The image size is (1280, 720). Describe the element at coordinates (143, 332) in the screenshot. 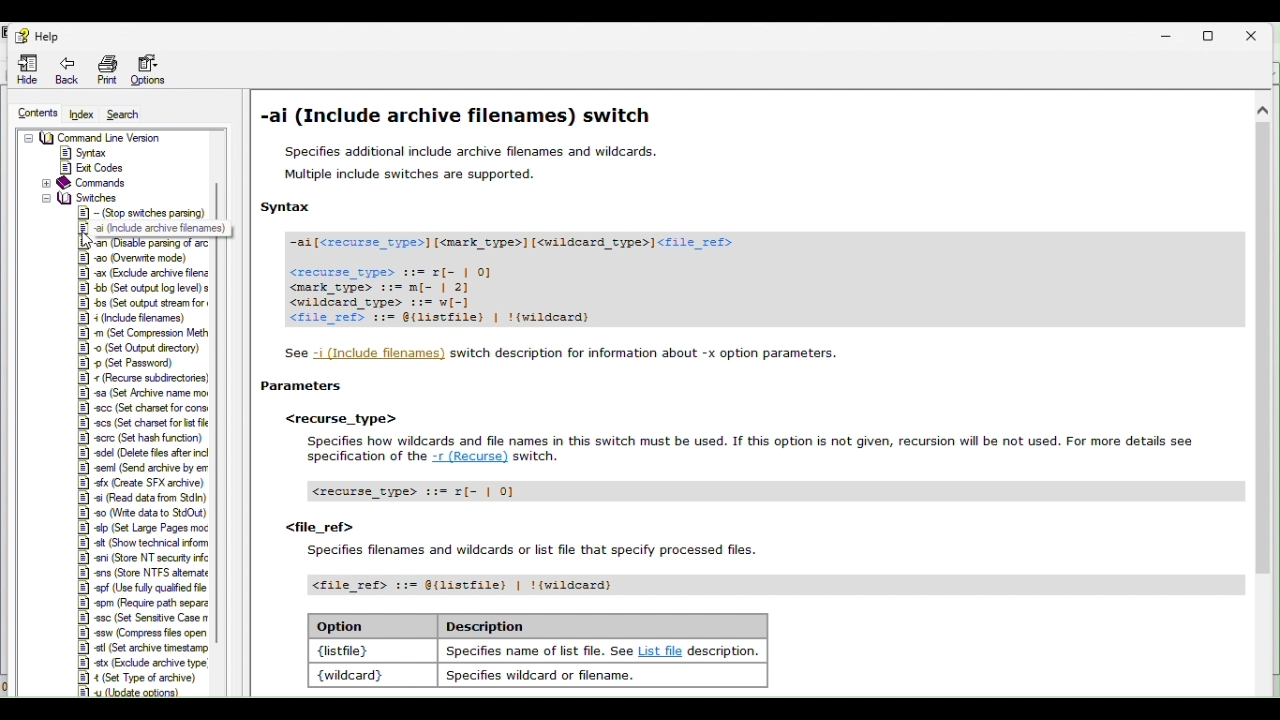

I see `Set compression` at that location.